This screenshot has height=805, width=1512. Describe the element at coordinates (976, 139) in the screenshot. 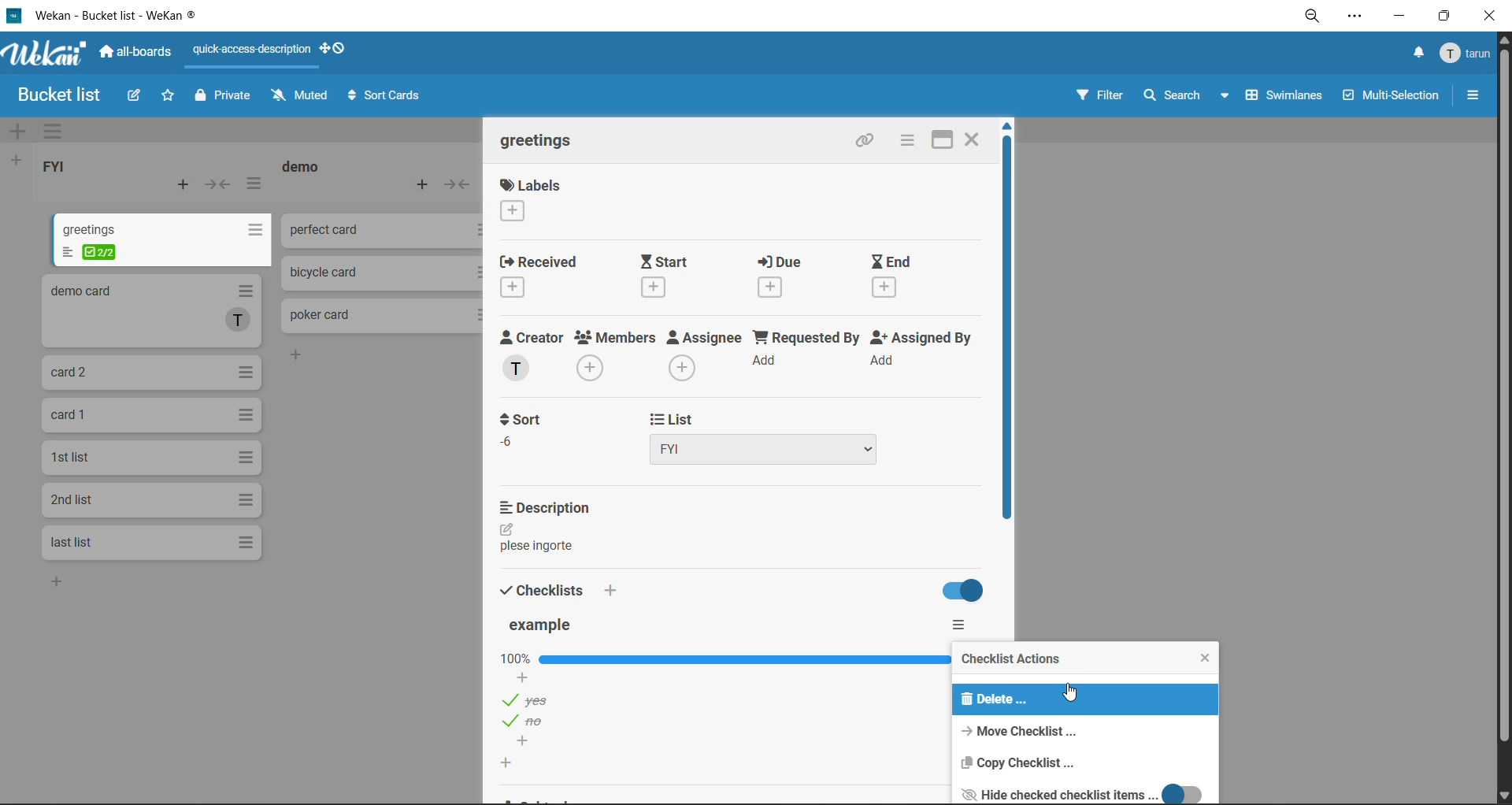

I see `Close` at that location.